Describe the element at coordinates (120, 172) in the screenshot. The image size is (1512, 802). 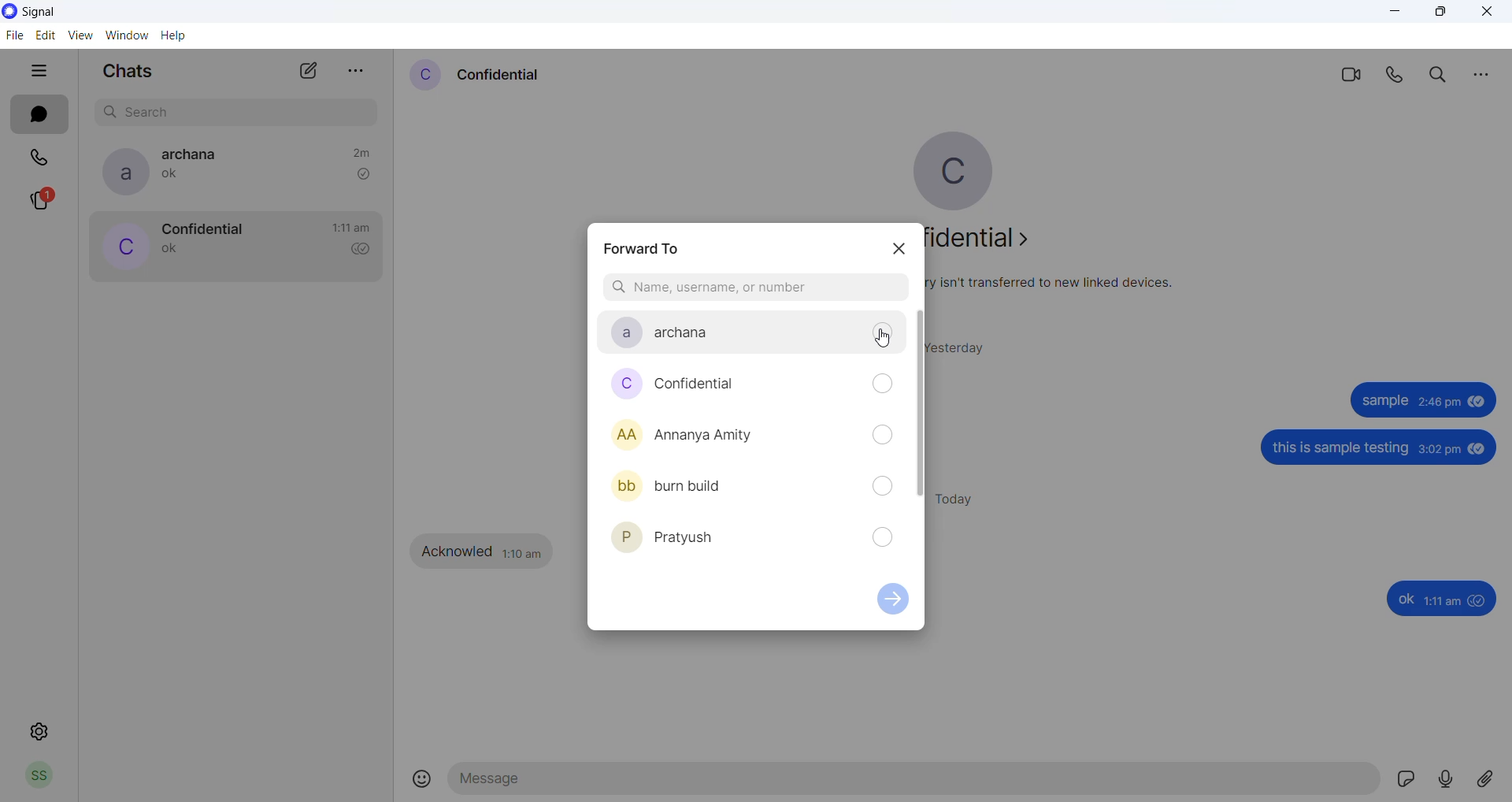
I see `profile picture` at that location.